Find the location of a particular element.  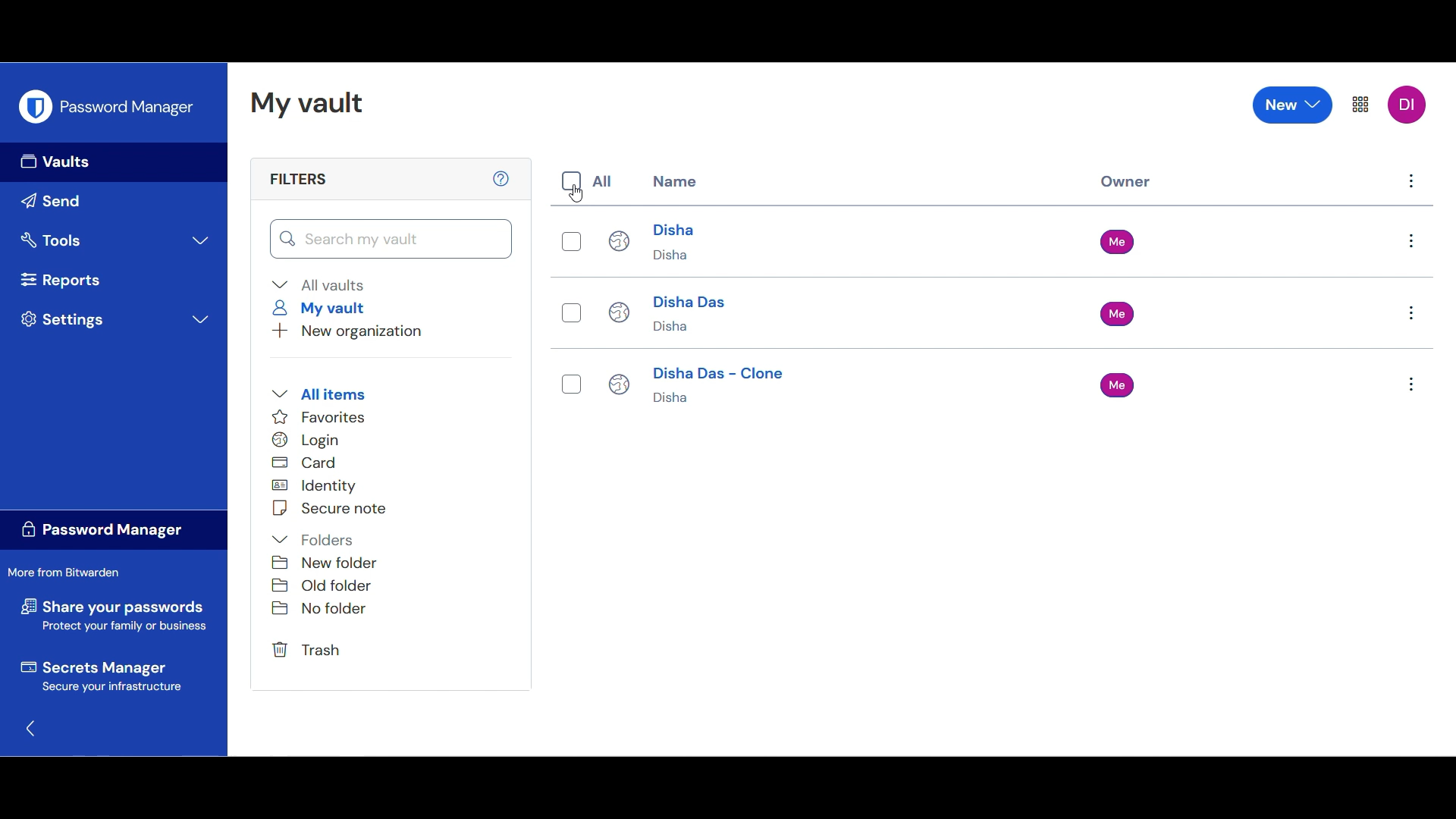

Search my vault is located at coordinates (392, 239).